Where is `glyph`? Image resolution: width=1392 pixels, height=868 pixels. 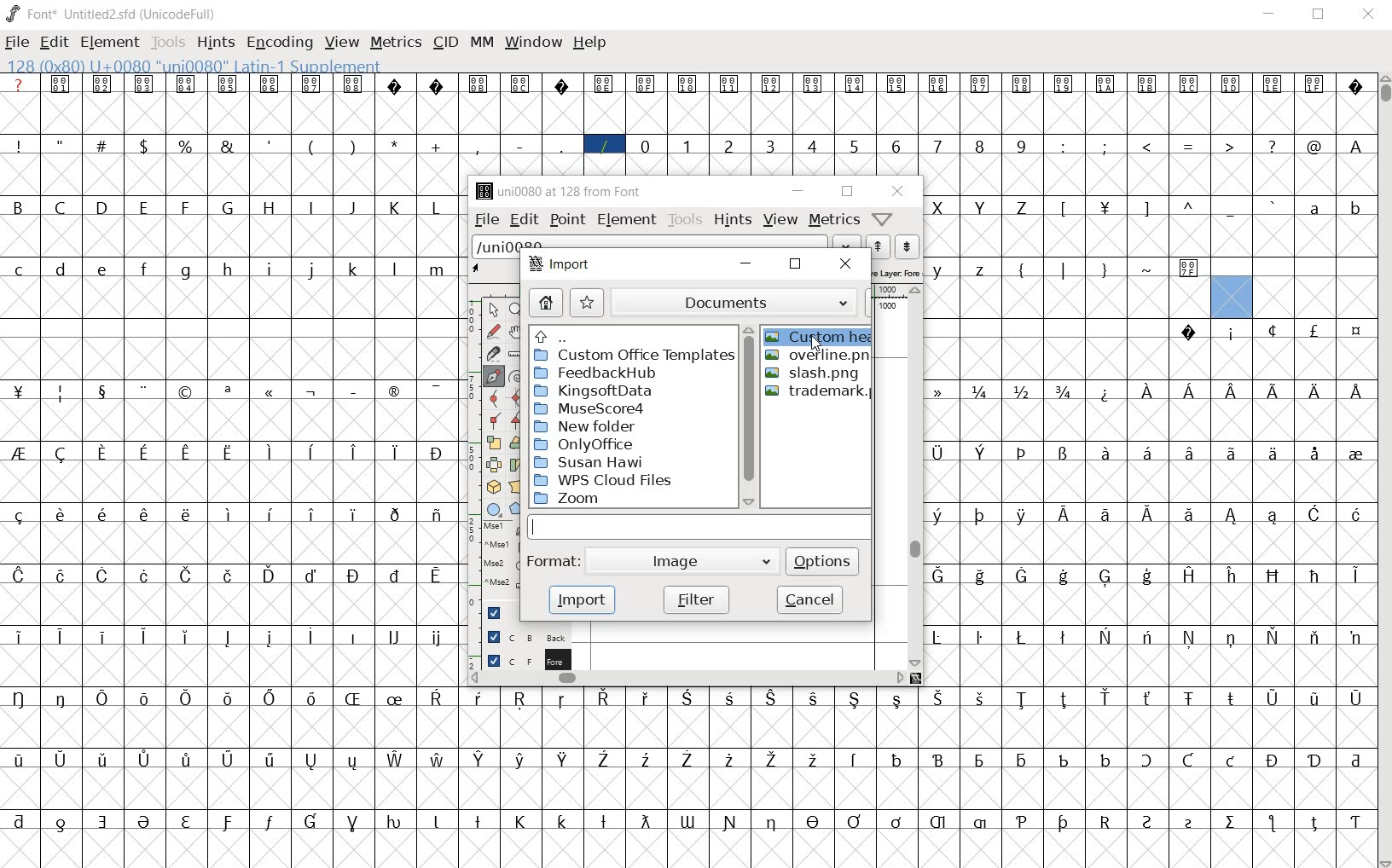
glyph is located at coordinates (188, 576).